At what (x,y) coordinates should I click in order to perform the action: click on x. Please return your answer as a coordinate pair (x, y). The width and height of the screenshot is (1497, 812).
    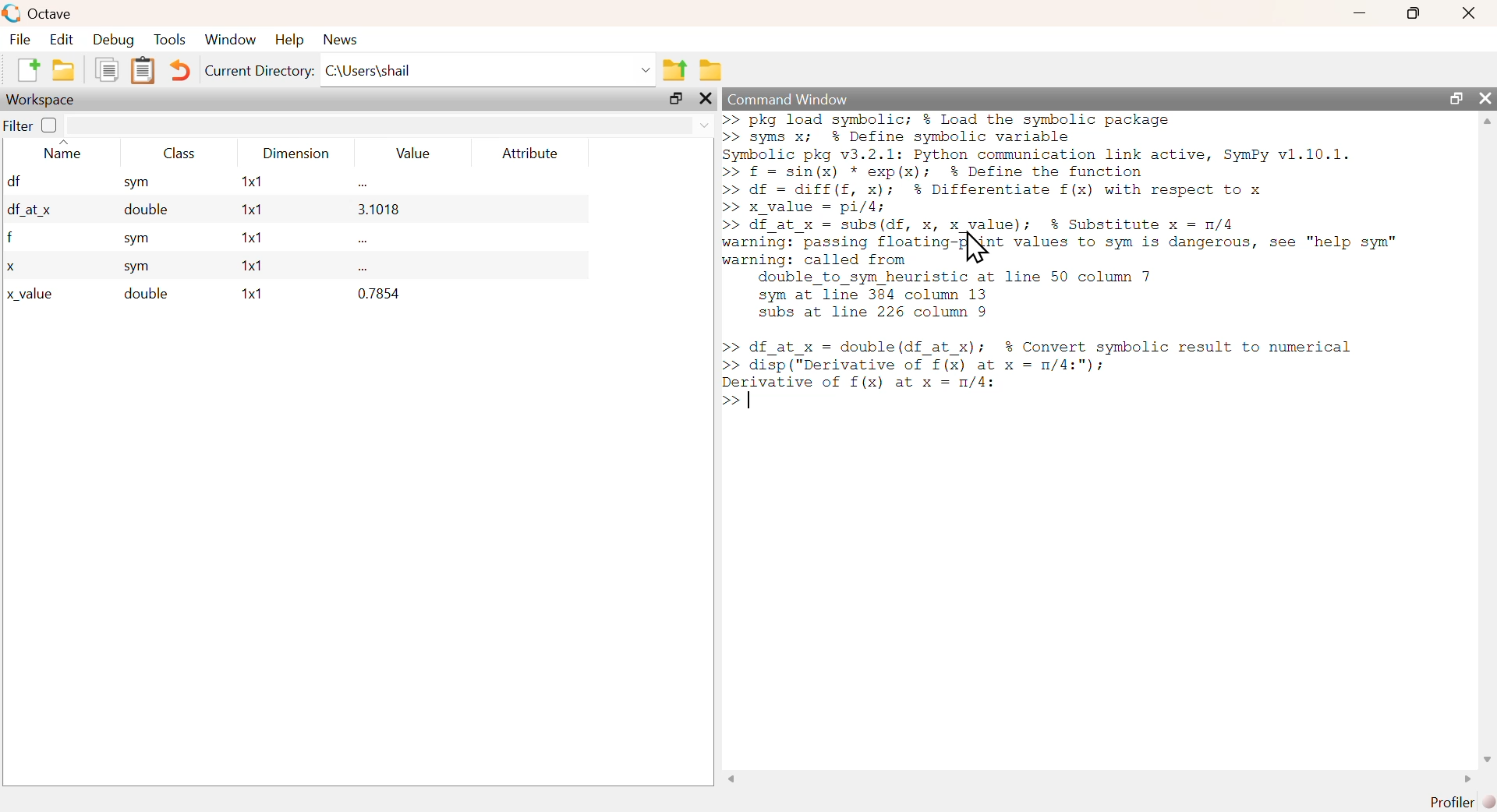
    Looking at the image, I should click on (11, 267).